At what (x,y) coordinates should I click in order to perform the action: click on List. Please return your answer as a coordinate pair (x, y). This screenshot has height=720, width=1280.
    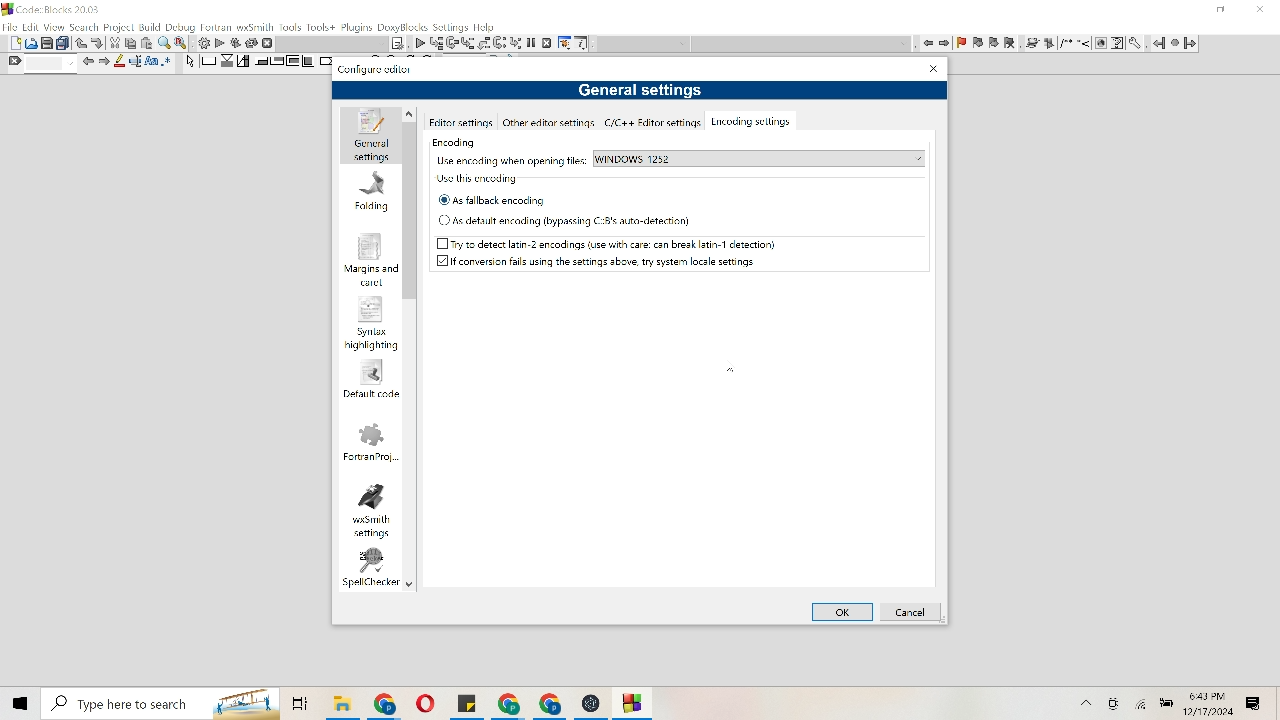
    Looking at the image, I should click on (475, 43).